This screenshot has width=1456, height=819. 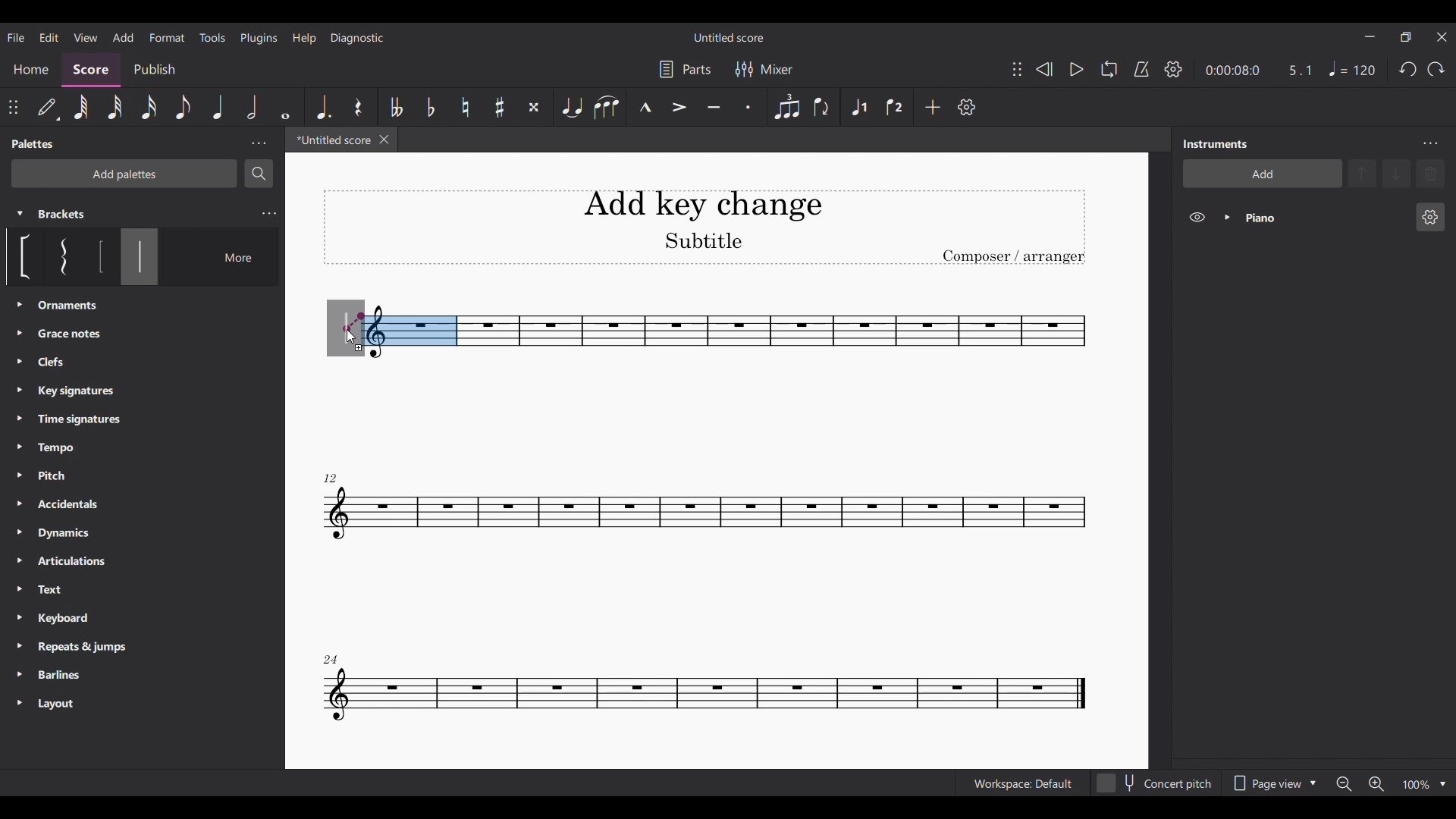 What do you see at coordinates (350, 338) in the screenshot?
I see `Cursor adding bracket to stave` at bounding box center [350, 338].